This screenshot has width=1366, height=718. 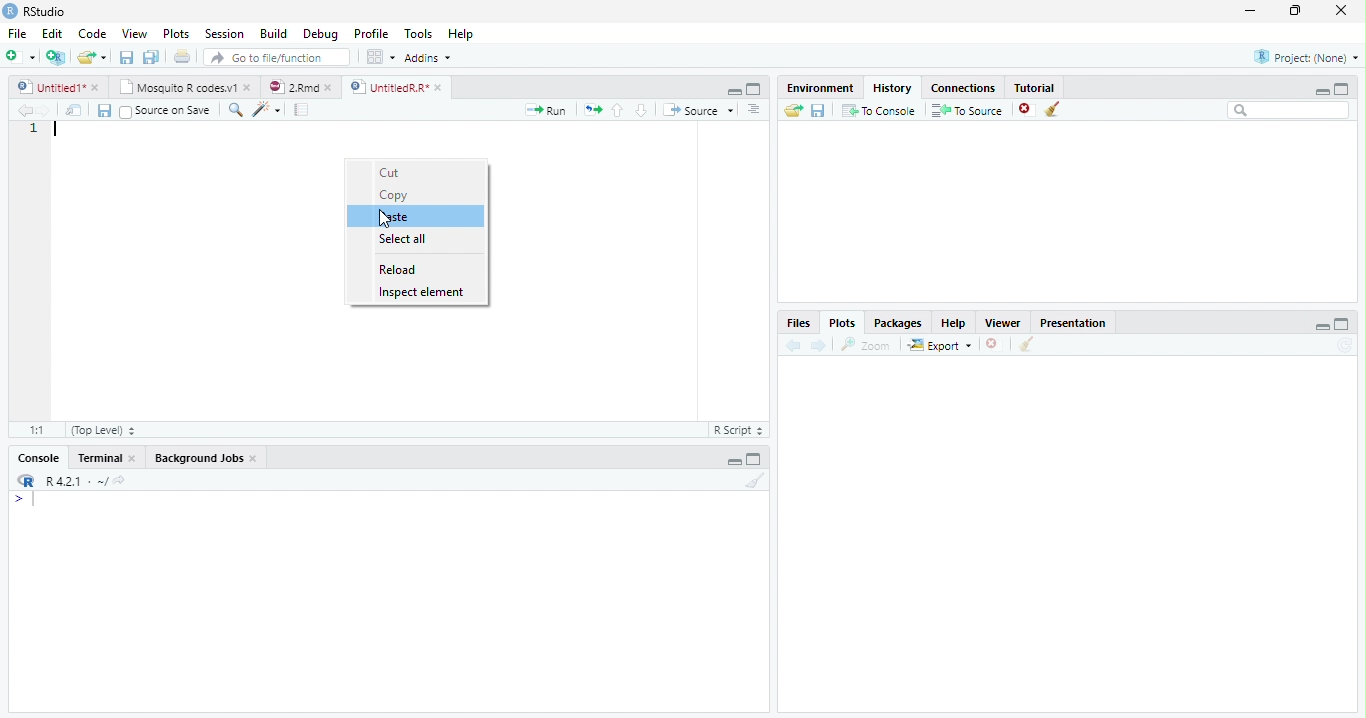 I want to click on Zoom, so click(x=864, y=345).